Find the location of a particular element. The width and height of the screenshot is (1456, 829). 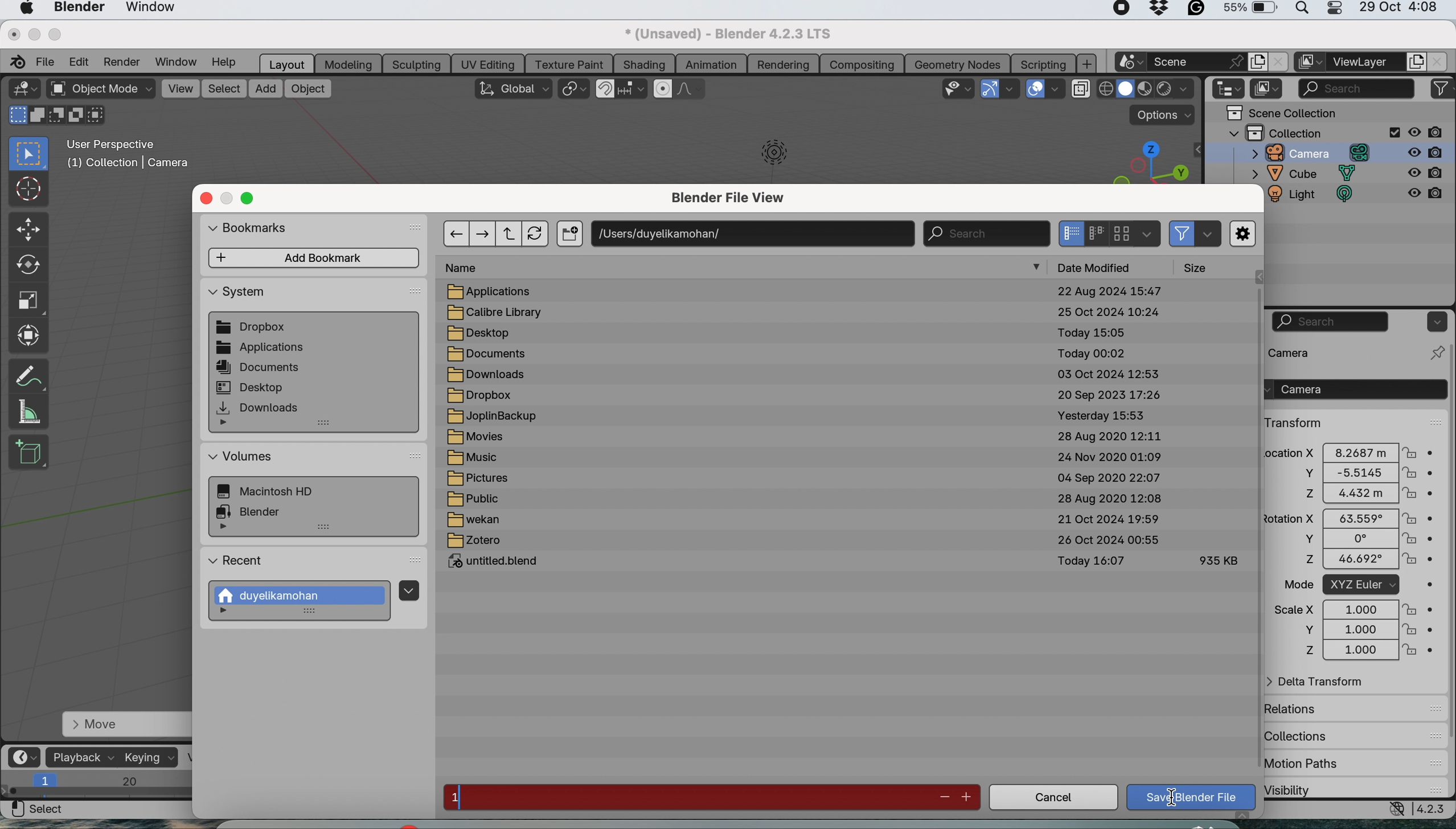

light object is located at coordinates (767, 157).